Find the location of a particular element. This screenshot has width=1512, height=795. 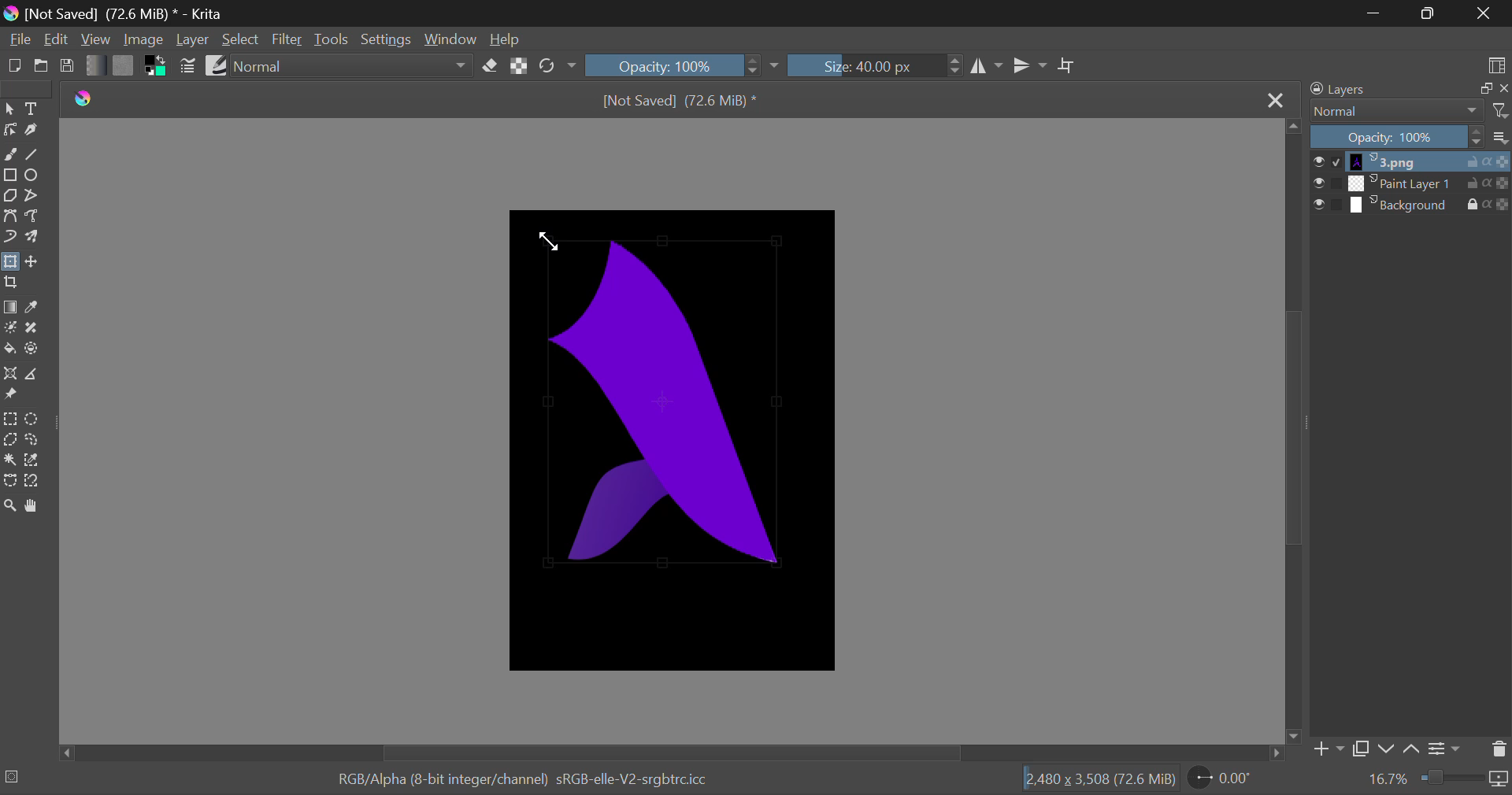

Gradient Fill is located at coordinates (10, 308).